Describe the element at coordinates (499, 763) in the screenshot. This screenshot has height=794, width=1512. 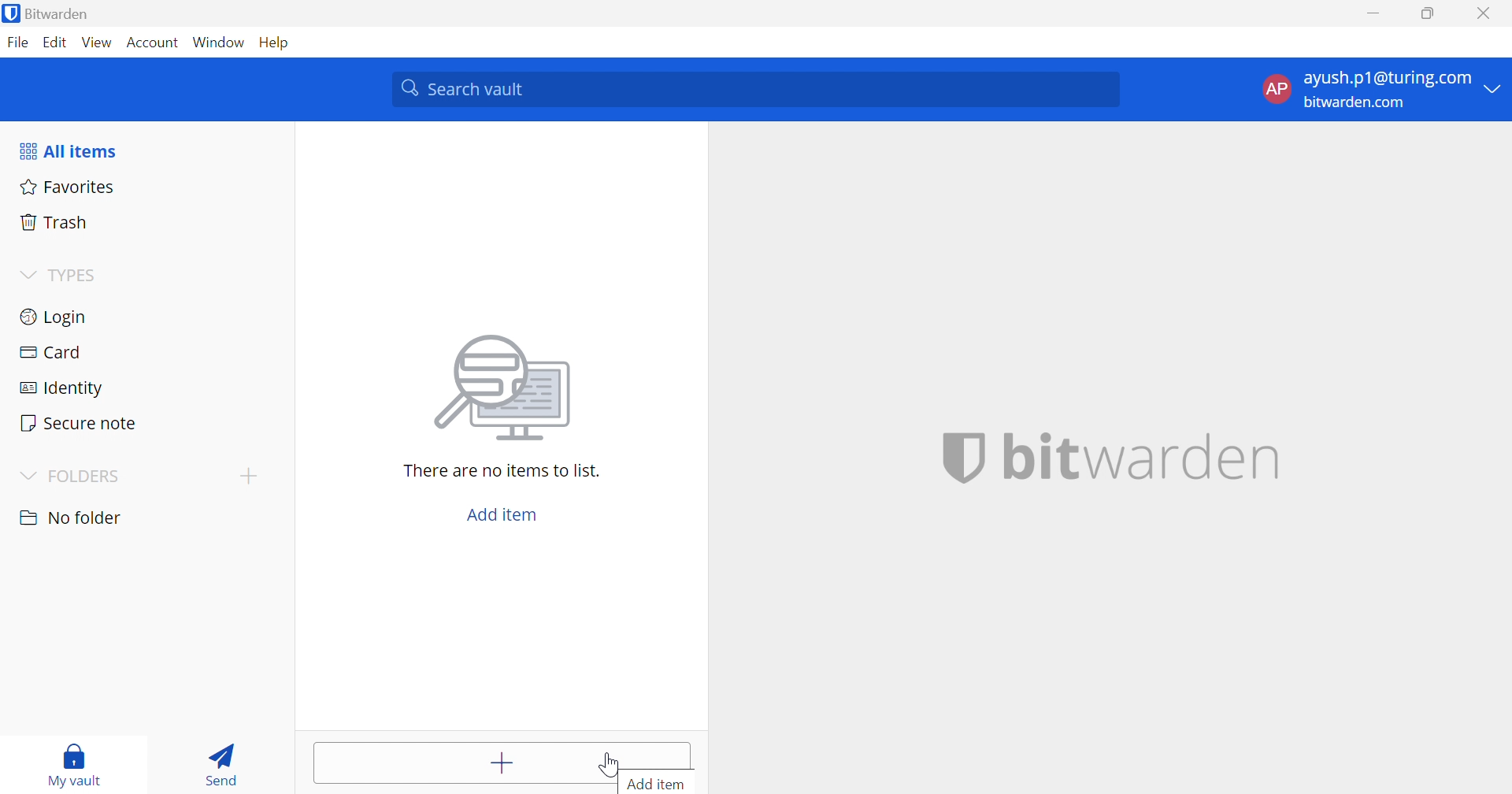
I see `Add items` at that location.